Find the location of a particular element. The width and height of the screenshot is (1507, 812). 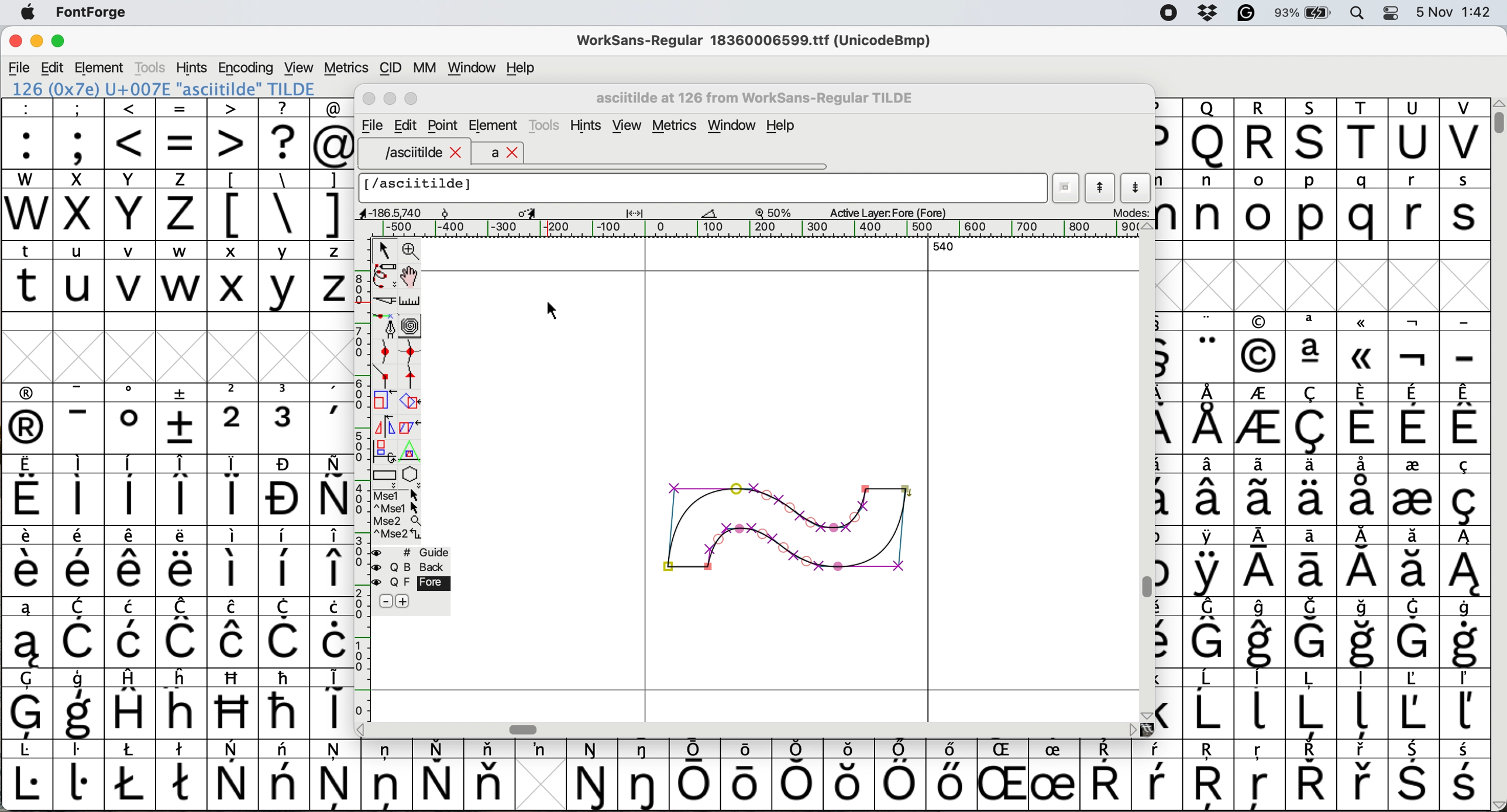

Rectangle or box is located at coordinates (384, 475).